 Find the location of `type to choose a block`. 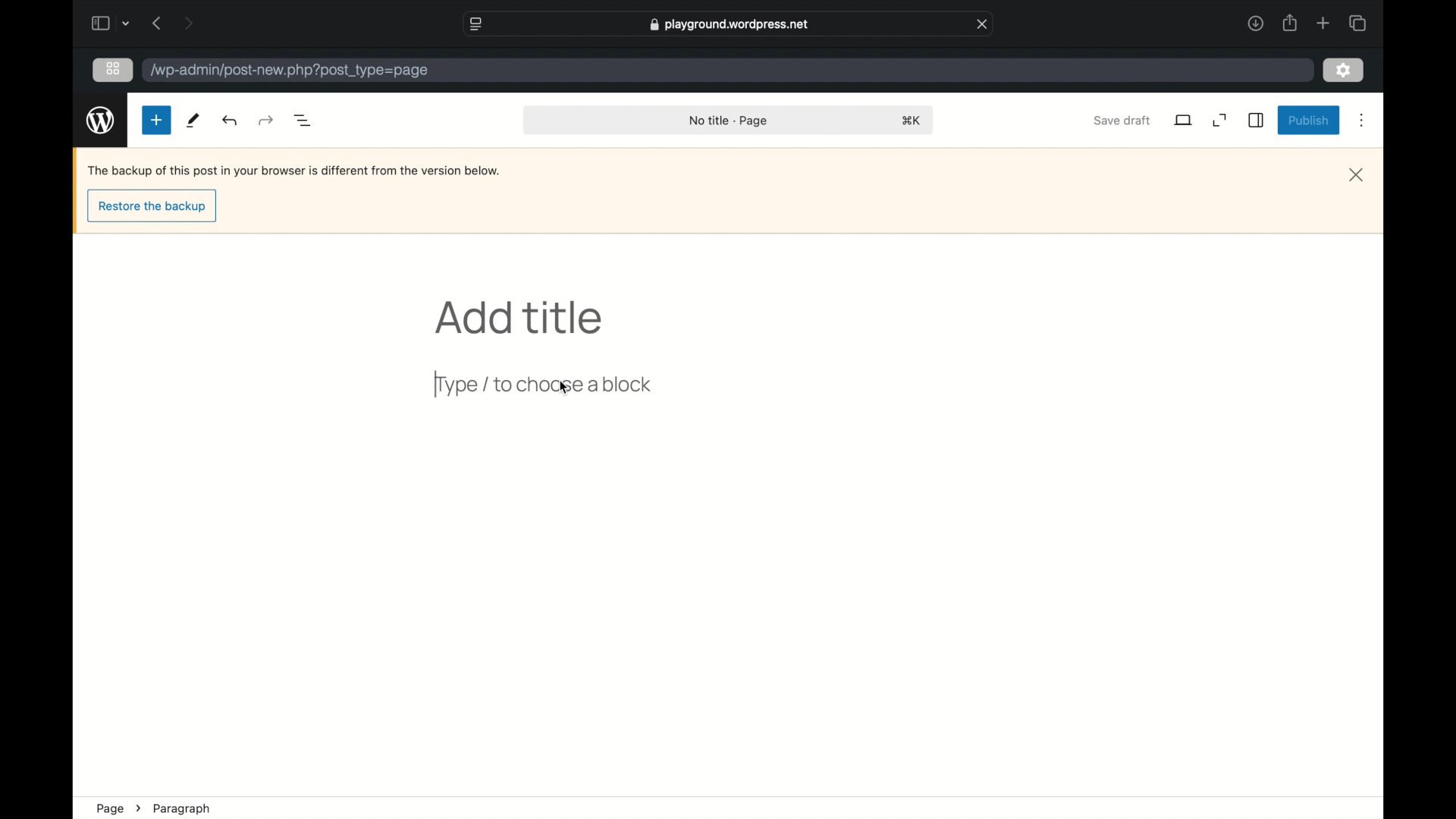

type to choose a block is located at coordinates (547, 387).